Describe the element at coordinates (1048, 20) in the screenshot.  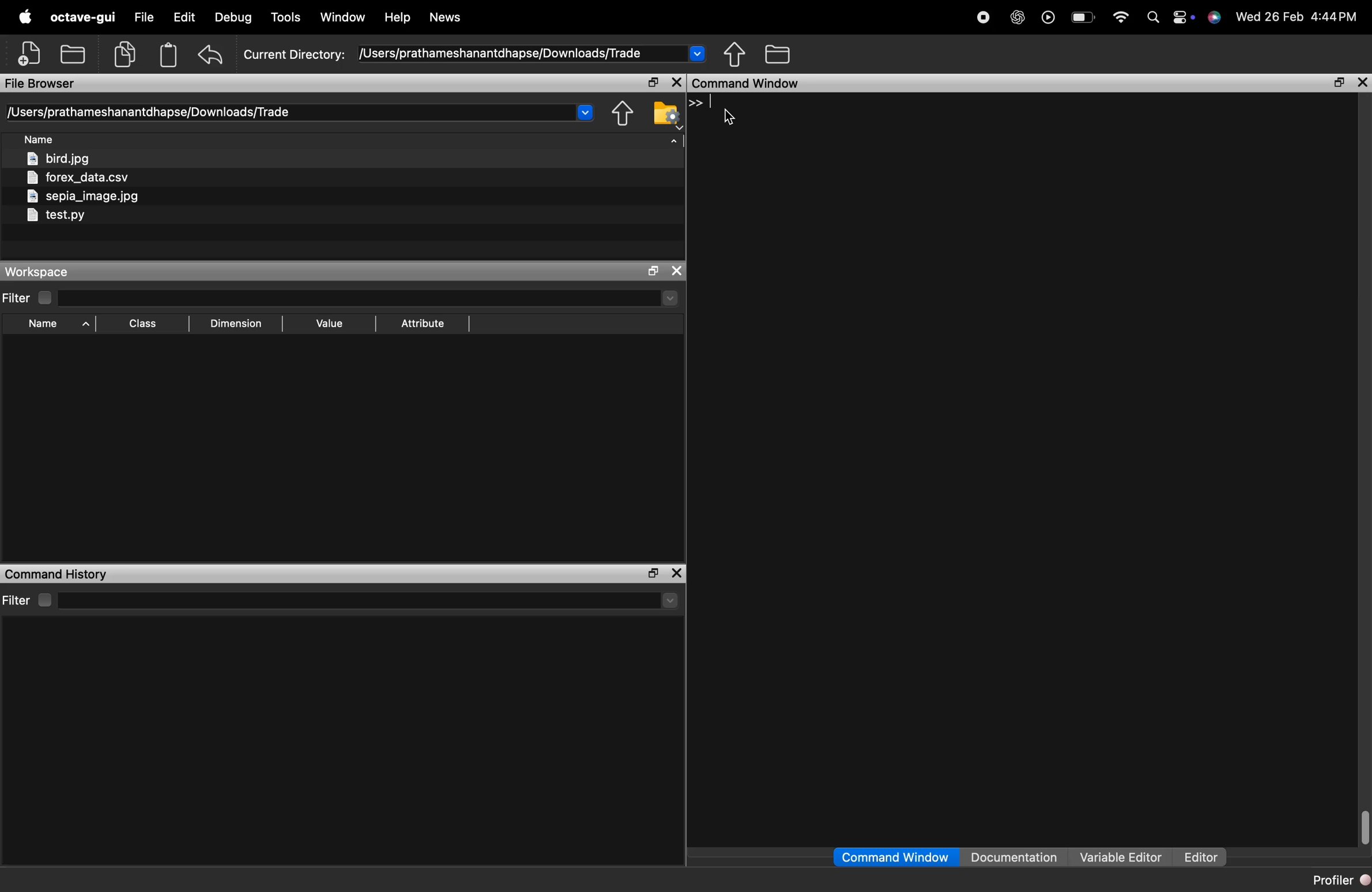
I see `play` at that location.